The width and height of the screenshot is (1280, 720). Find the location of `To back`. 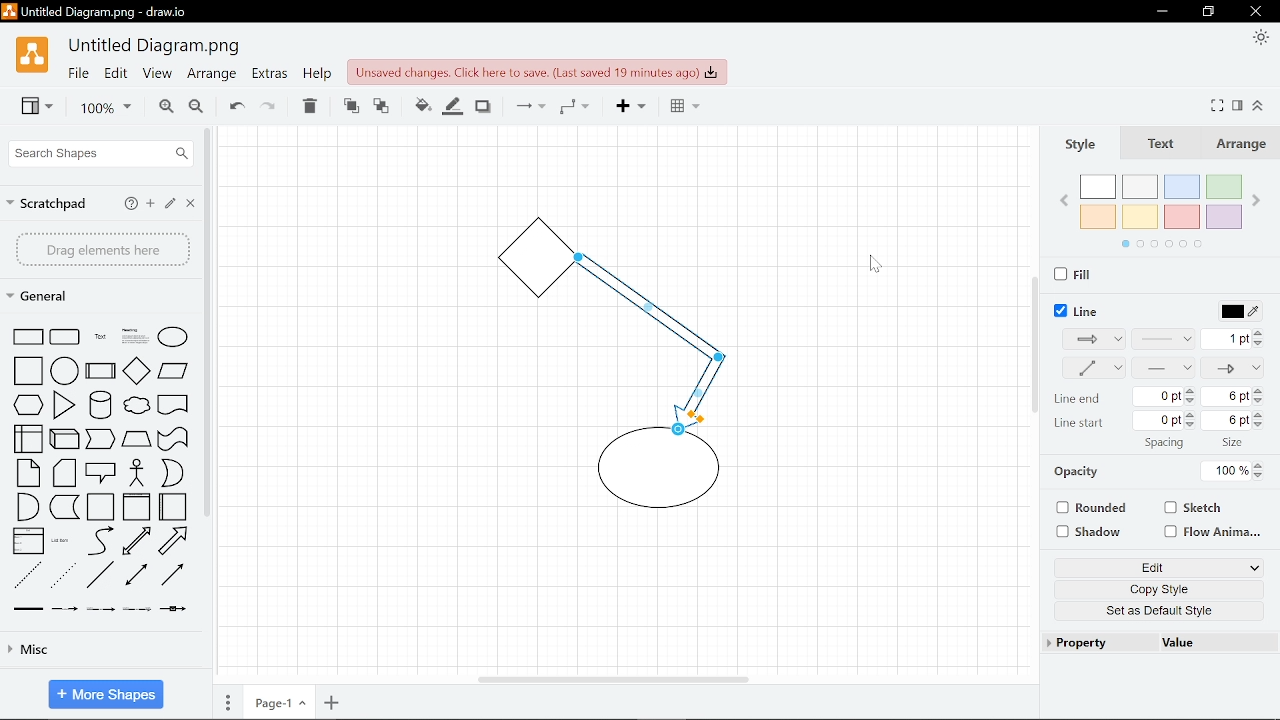

To back is located at coordinates (382, 105).